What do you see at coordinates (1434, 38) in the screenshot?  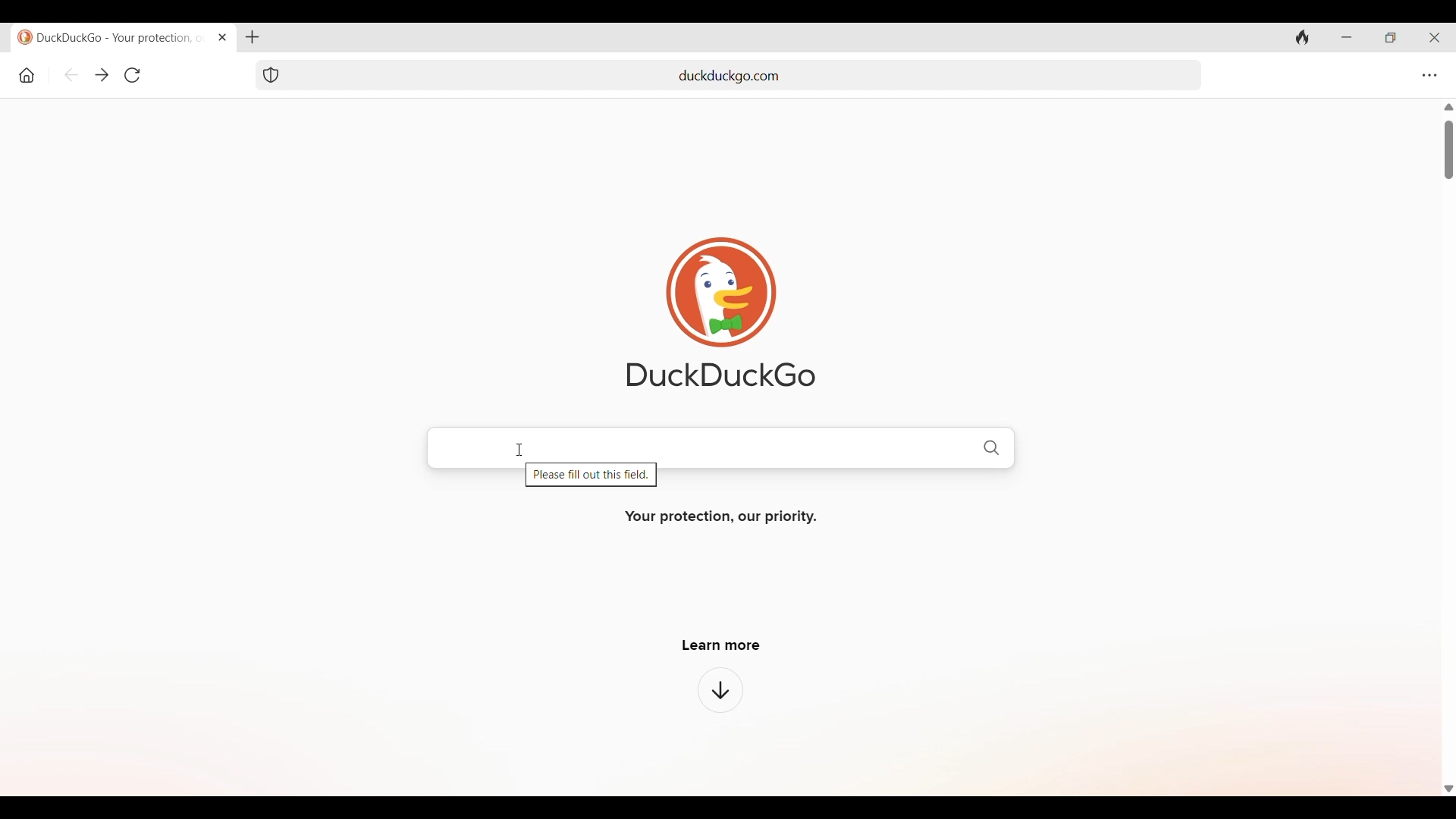 I see `Close browser` at bounding box center [1434, 38].